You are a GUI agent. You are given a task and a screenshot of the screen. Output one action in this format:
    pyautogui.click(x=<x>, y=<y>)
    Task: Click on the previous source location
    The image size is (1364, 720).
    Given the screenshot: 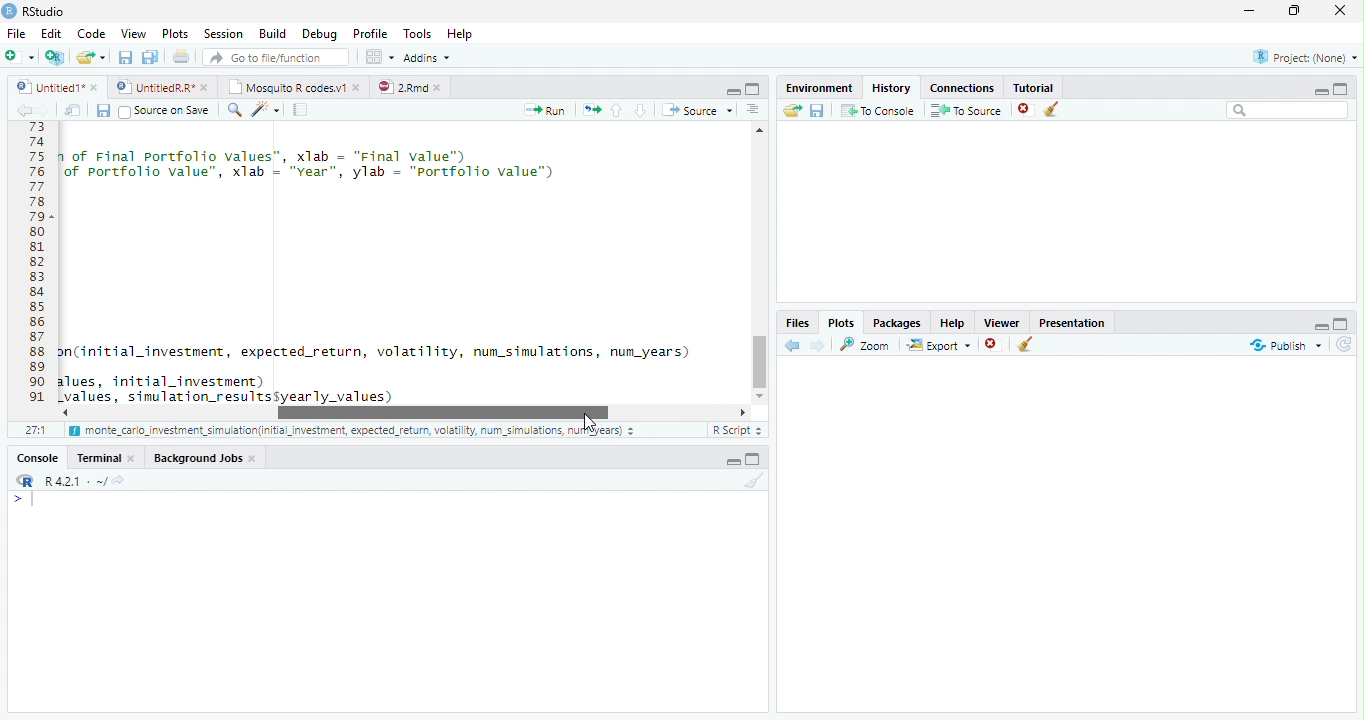 What is the action you would take?
    pyautogui.click(x=23, y=110)
    